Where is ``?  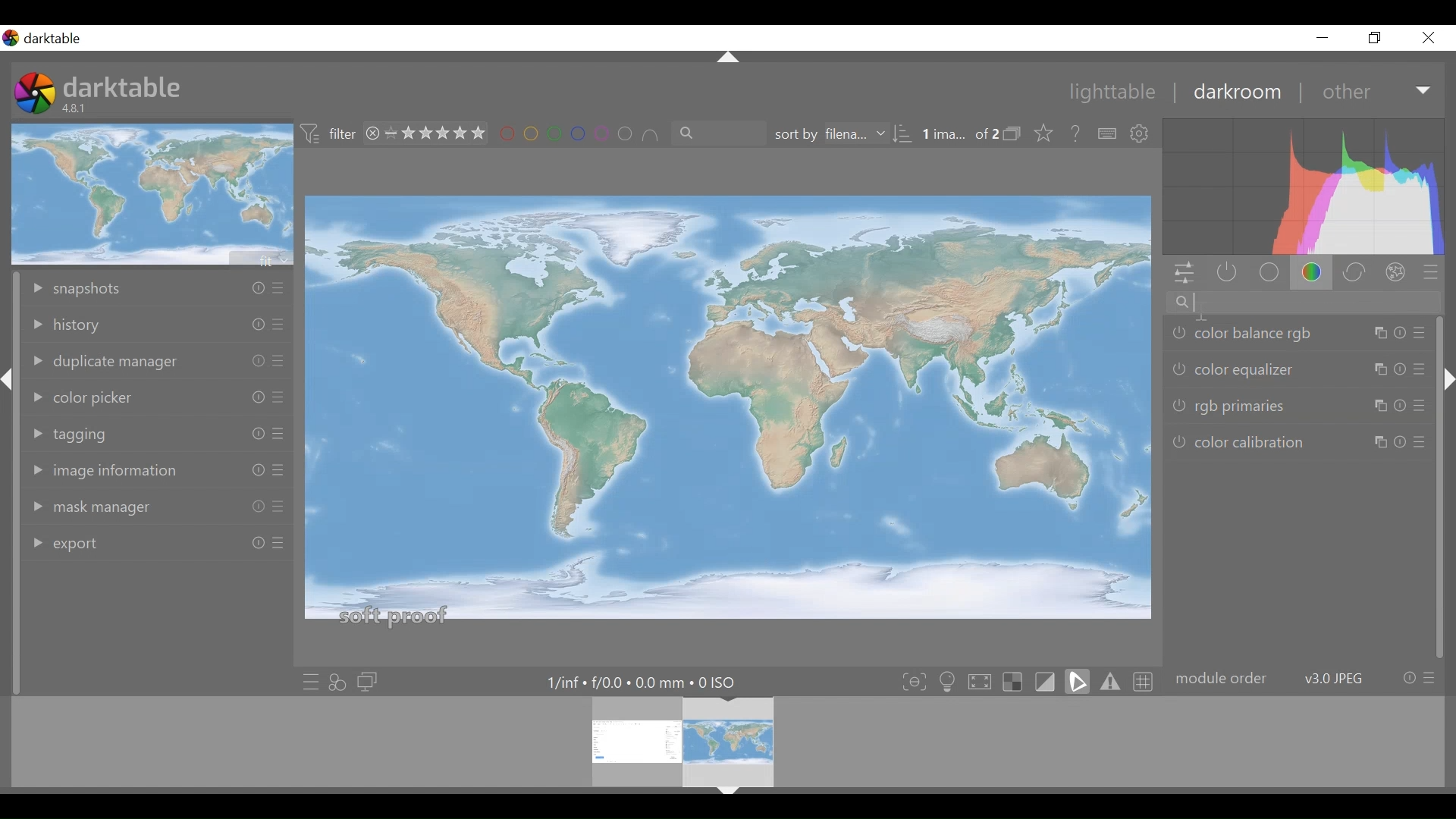
 is located at coordinates (249, 470).